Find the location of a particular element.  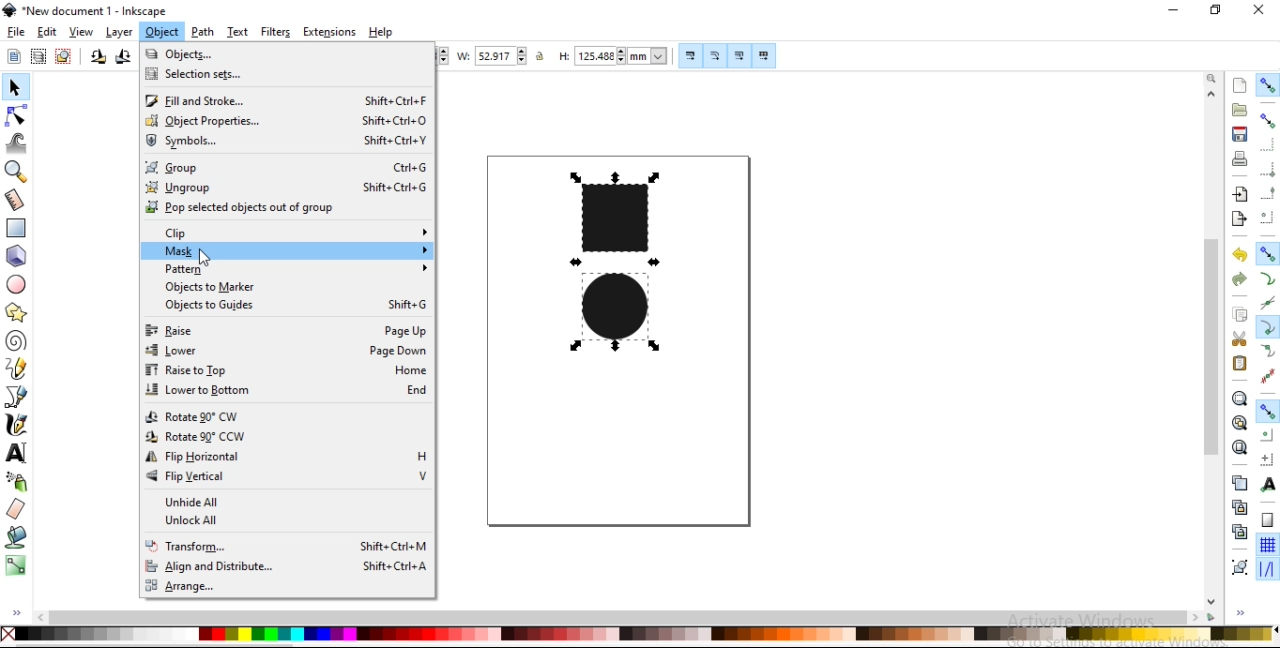

cut is located at coordinates (1239, 339).